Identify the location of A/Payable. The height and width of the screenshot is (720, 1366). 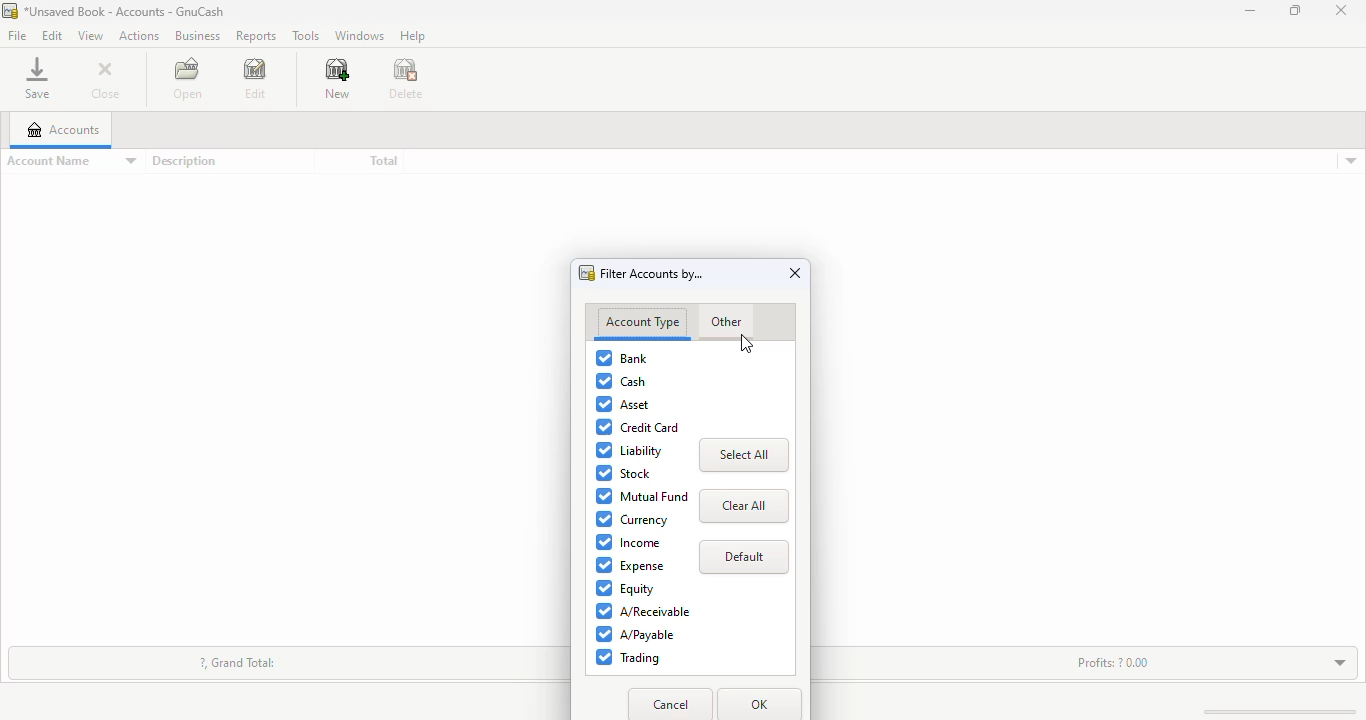
(637, 634).